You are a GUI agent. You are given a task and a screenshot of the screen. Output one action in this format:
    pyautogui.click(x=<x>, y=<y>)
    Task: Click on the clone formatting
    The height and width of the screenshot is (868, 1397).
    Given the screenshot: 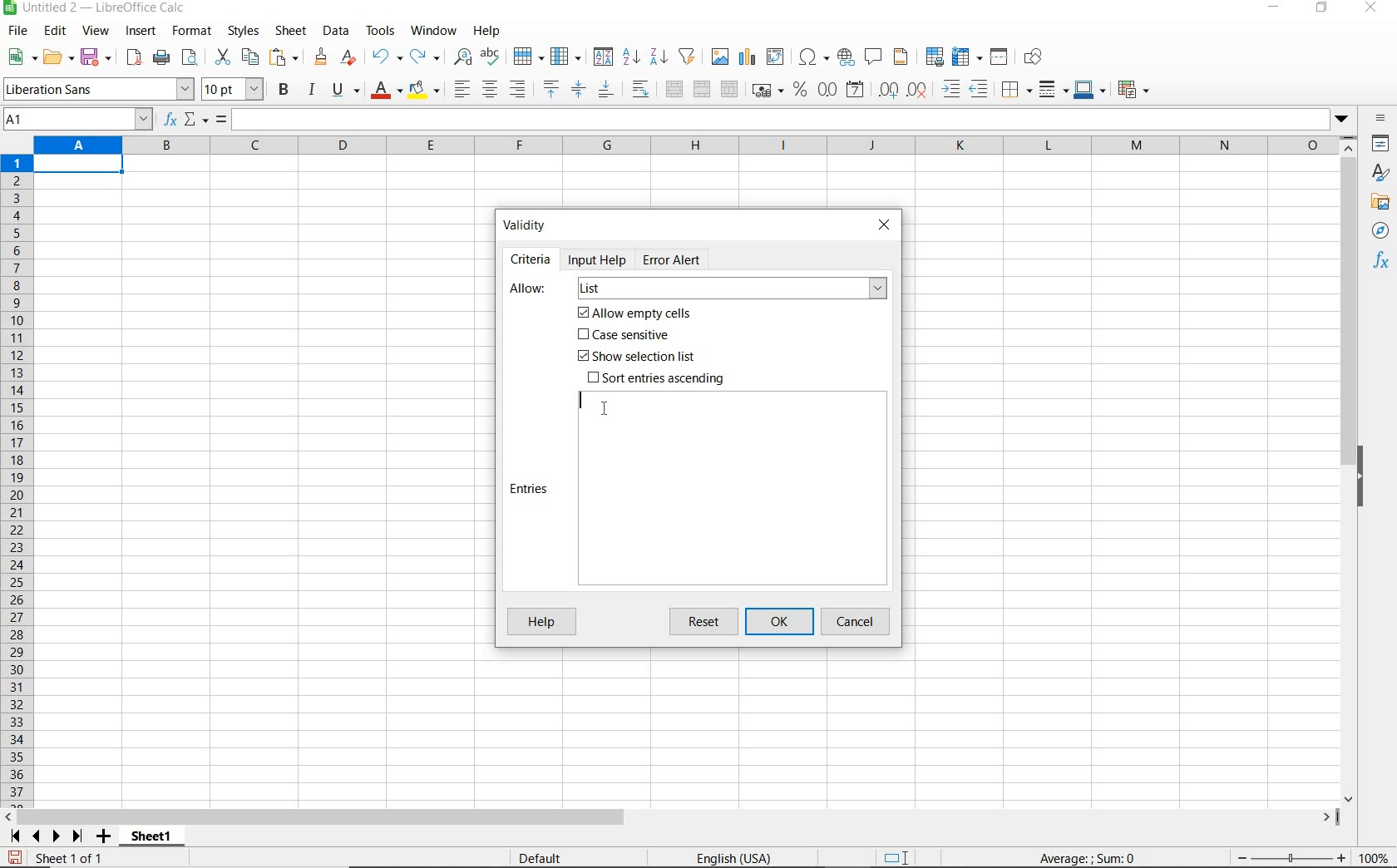 What is the action you would take?
    pyautogui.click(x=322, y=57)
    